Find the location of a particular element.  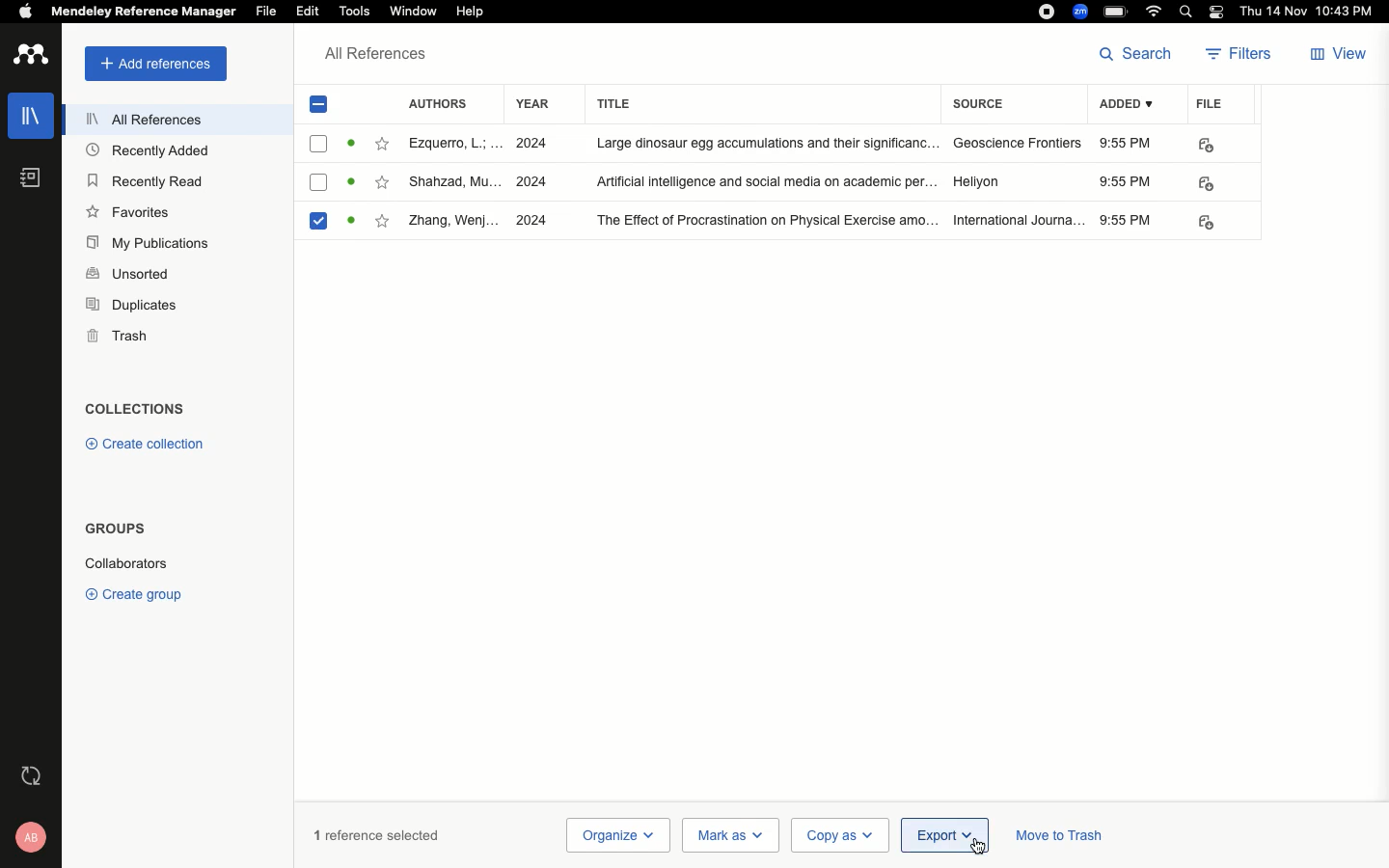

checkbox is located at coordinates (319, 143).